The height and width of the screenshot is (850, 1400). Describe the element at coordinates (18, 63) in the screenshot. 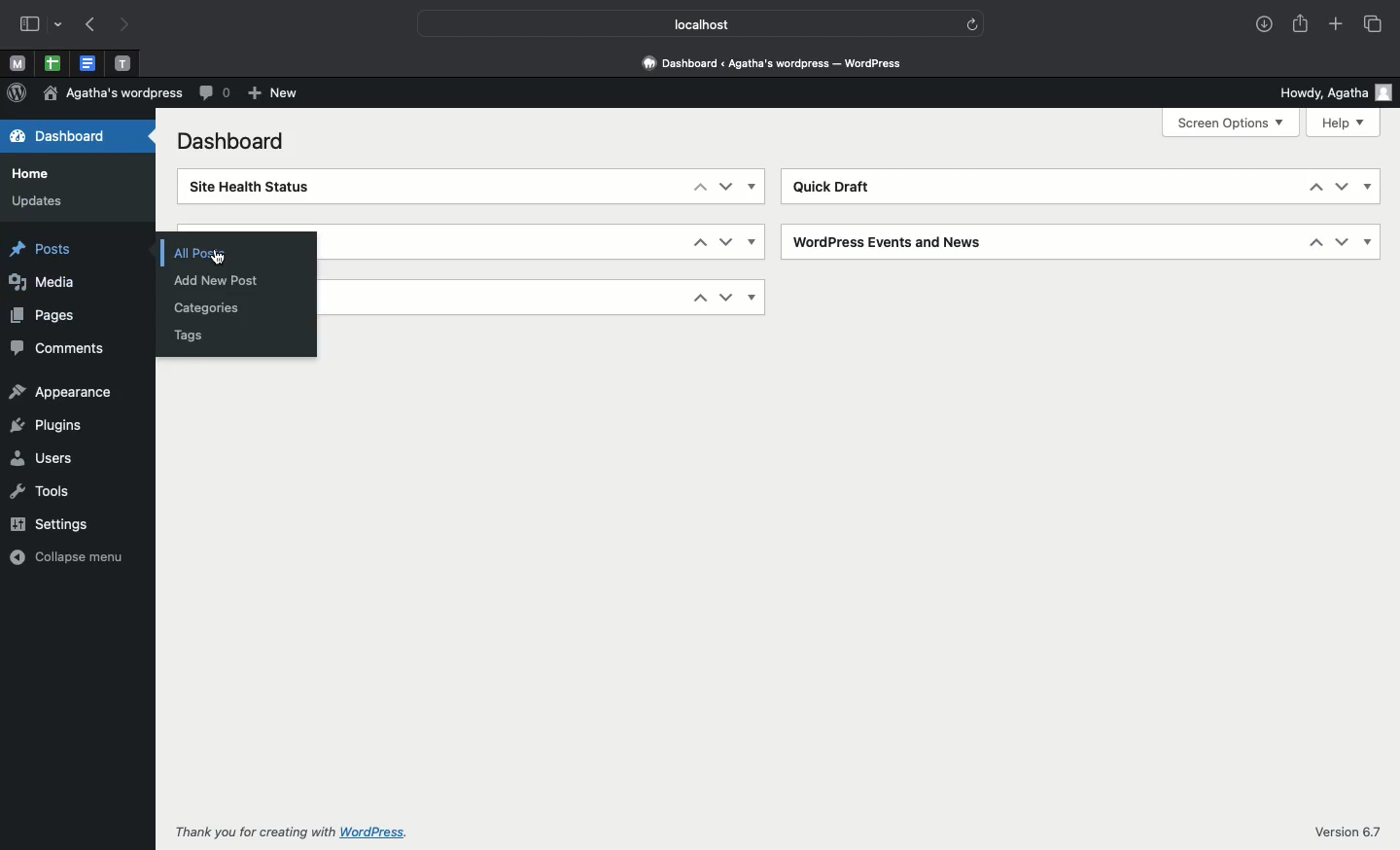

I see `Pinned tabs` at that location.